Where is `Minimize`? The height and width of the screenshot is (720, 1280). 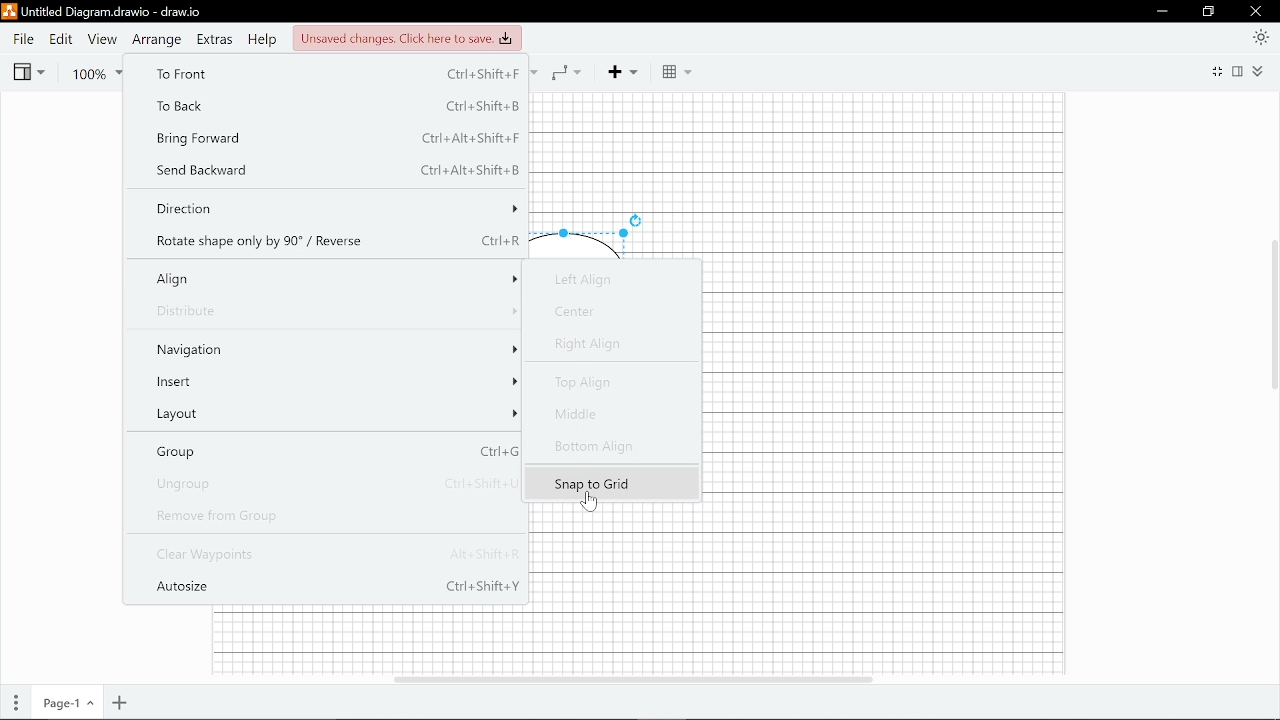 Minimize is located at coordinates (1162, 12).